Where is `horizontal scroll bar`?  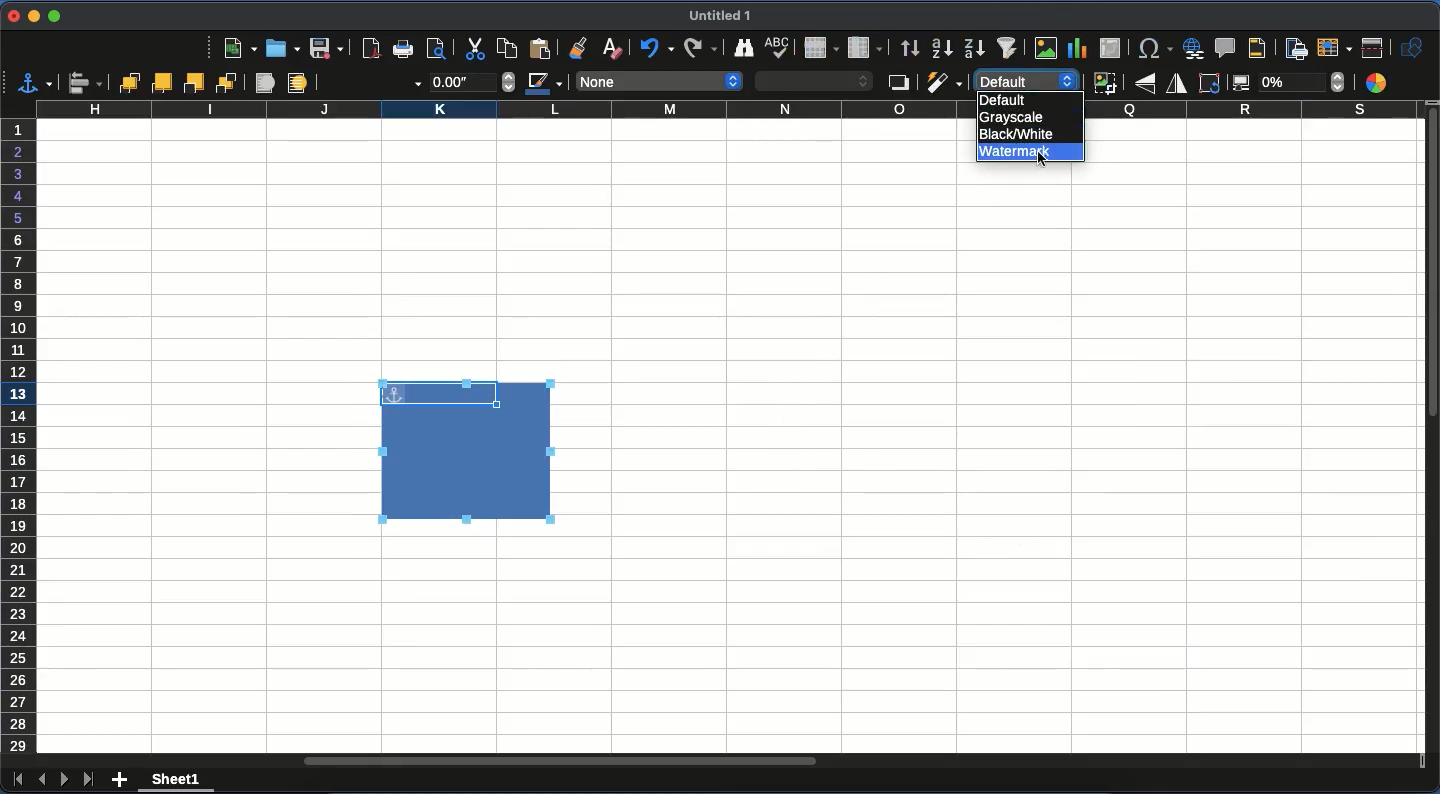
horizontal scroll bar is located at coordinates (561, 762).